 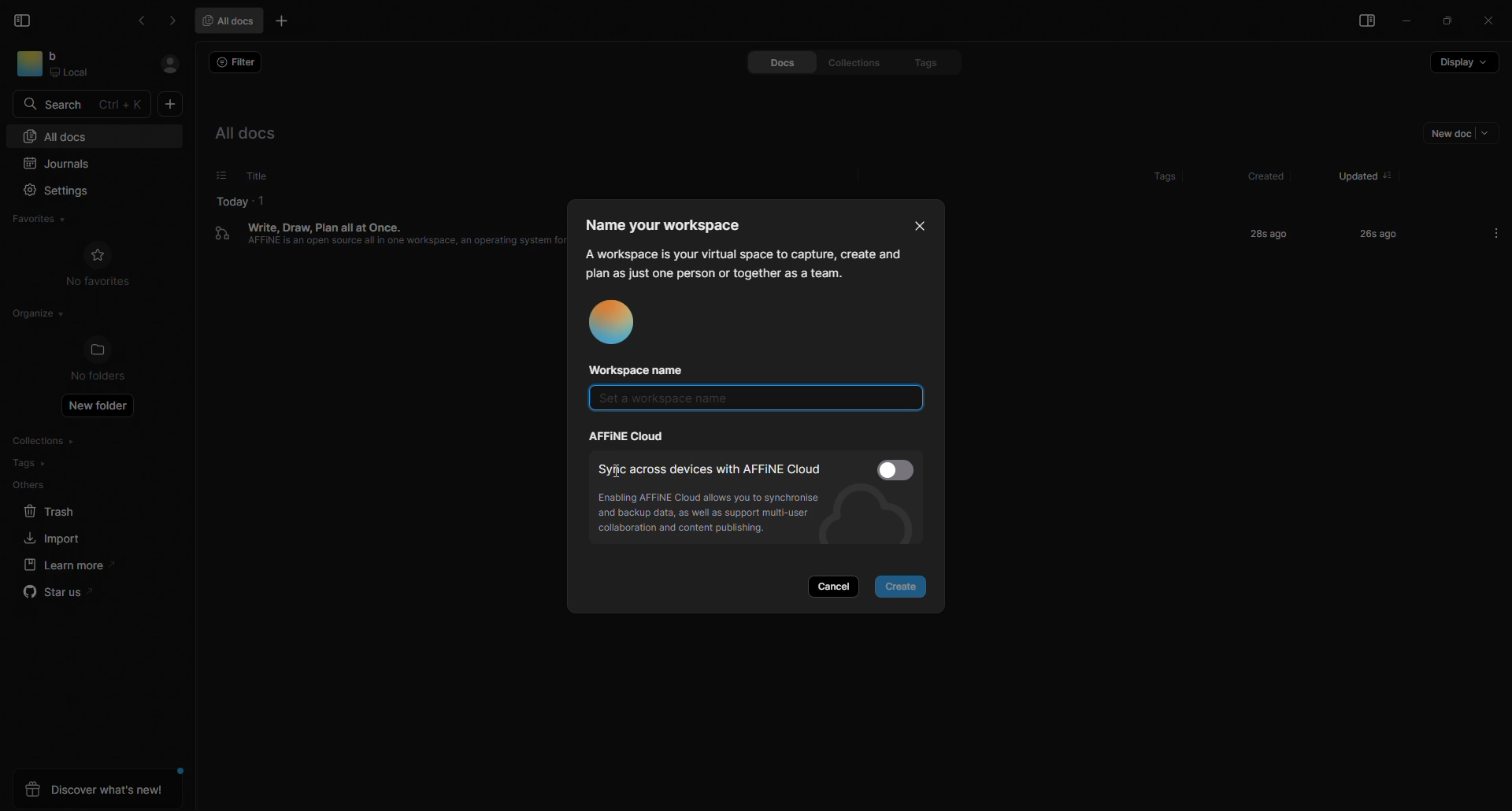 I want to click on info, so click(x=718, y=516).